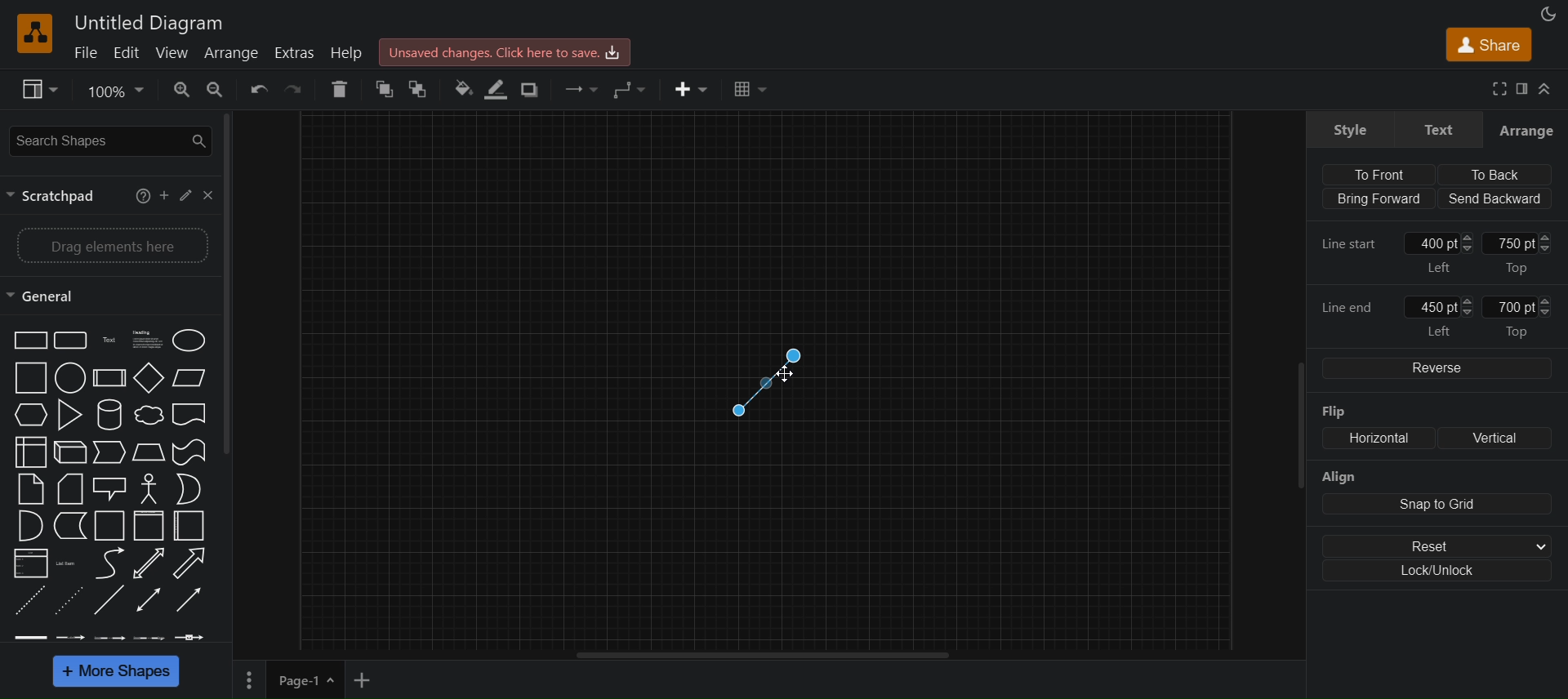  I want to click on vertical scroll bar, so click(237, 285).